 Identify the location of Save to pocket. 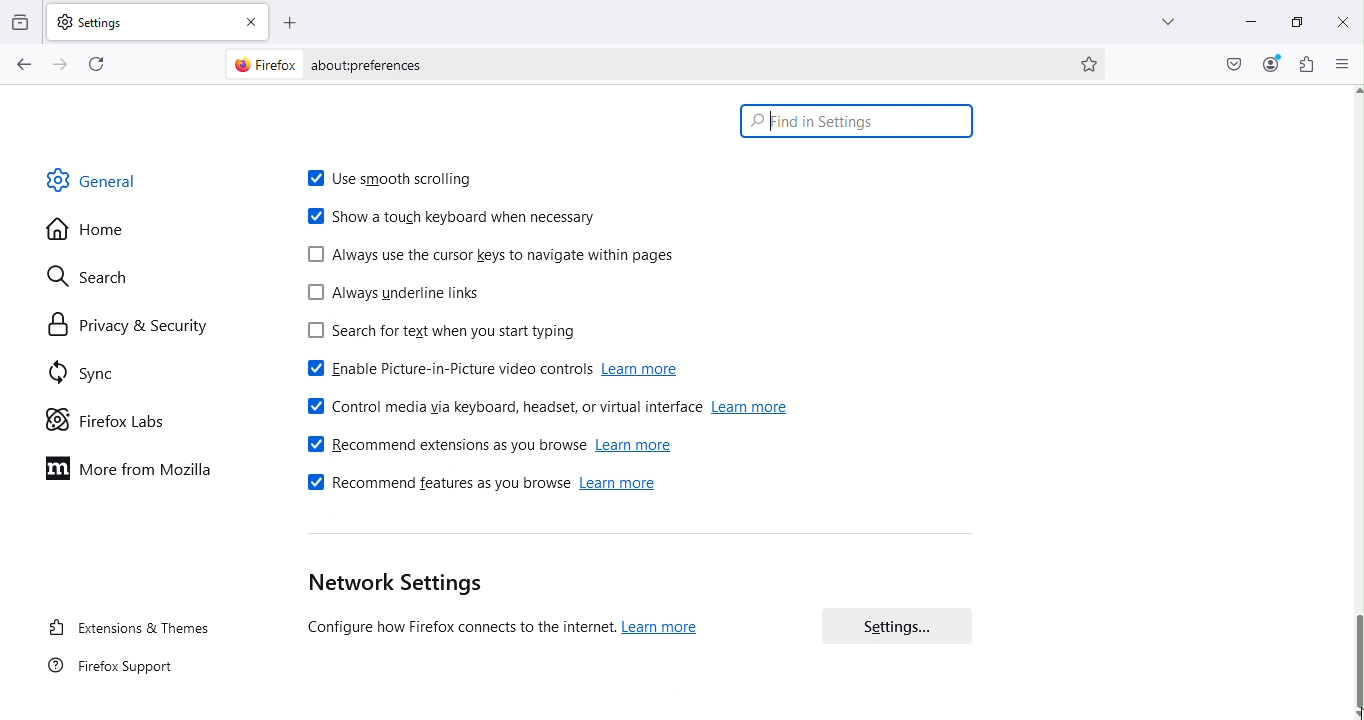
(1235, 64).